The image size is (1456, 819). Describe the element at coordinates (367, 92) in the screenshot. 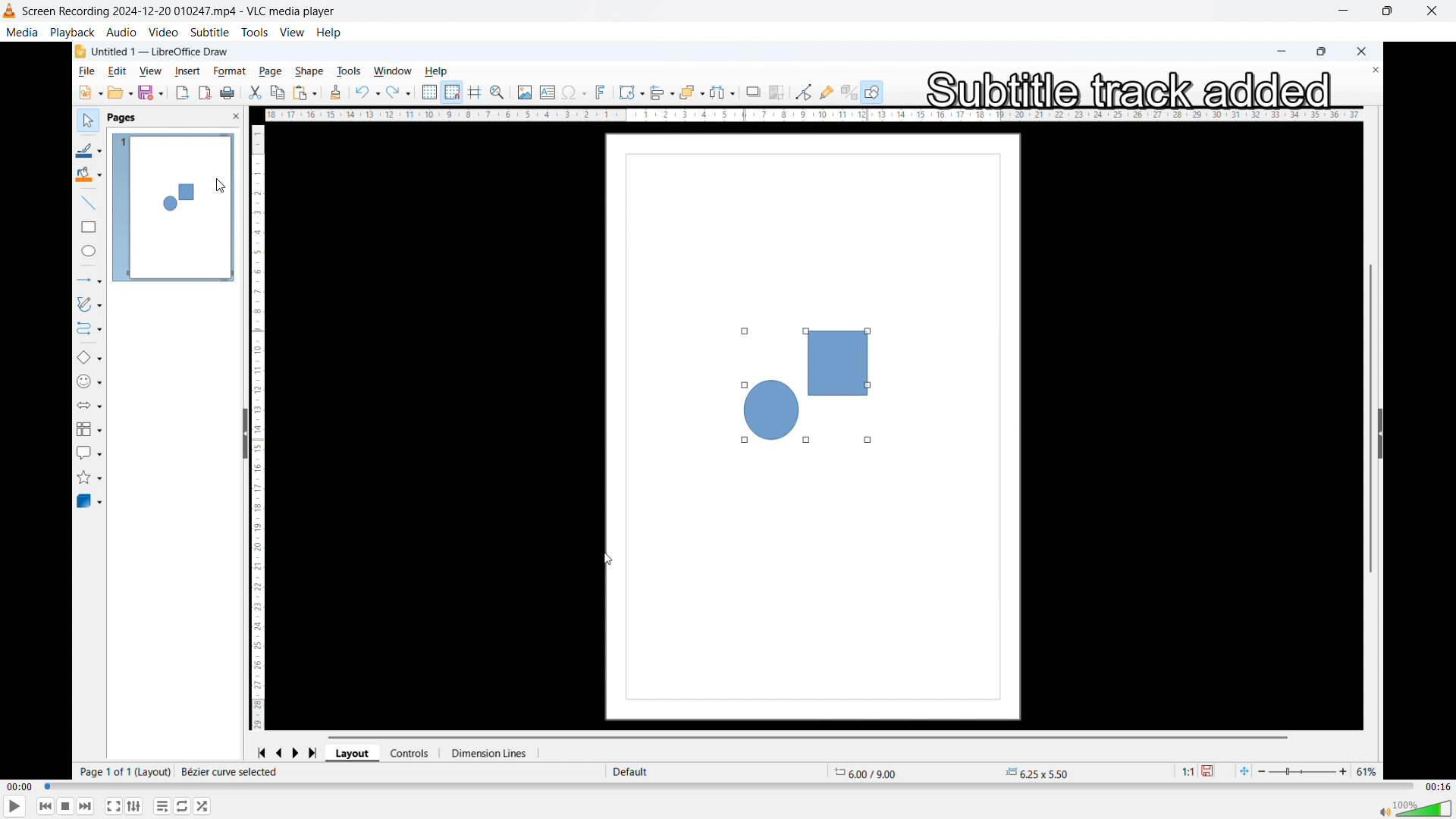

I see `undo` at that location.